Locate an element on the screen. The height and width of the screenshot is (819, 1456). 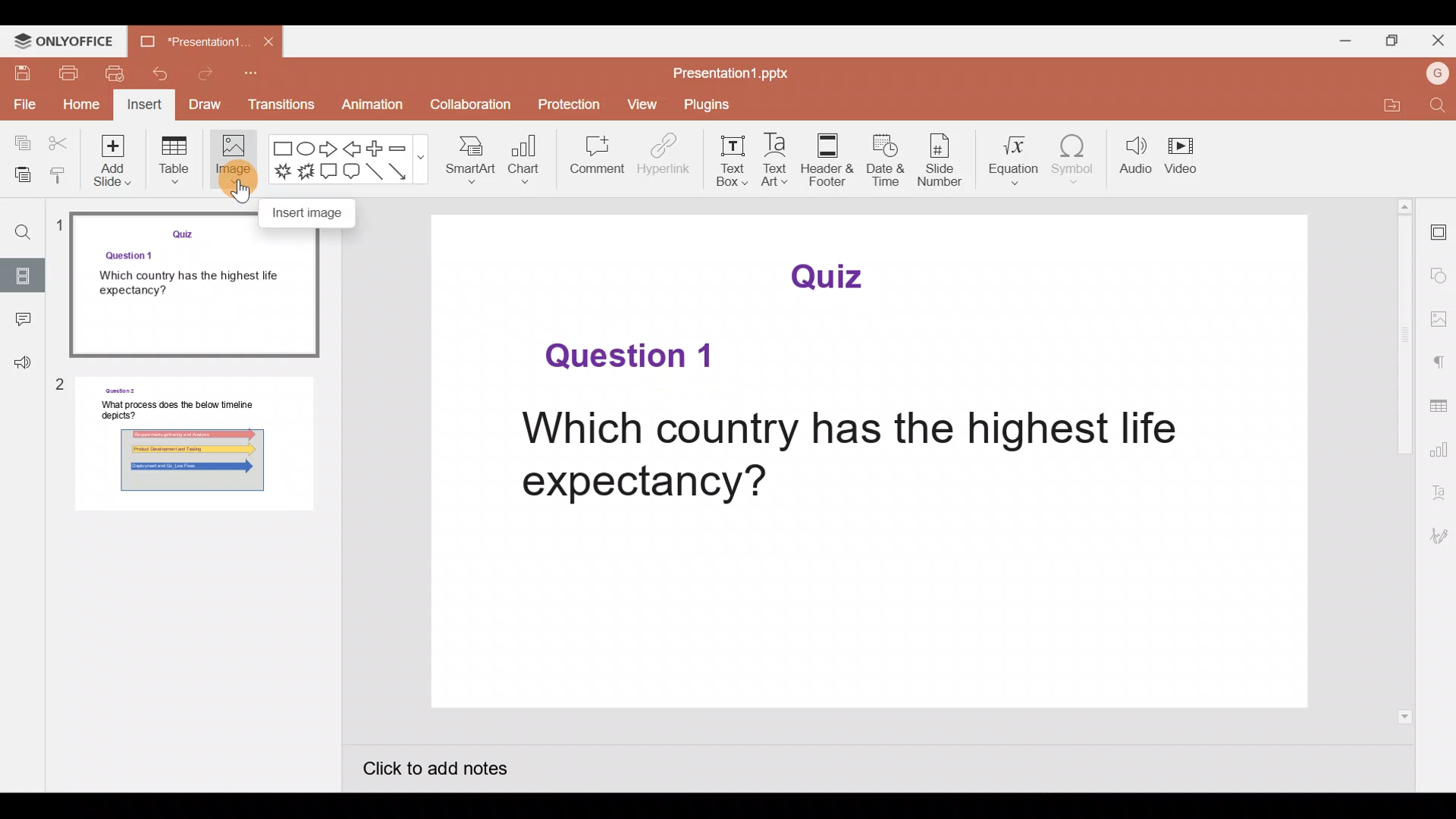
Question 1 is located at coordinates (628, 357).